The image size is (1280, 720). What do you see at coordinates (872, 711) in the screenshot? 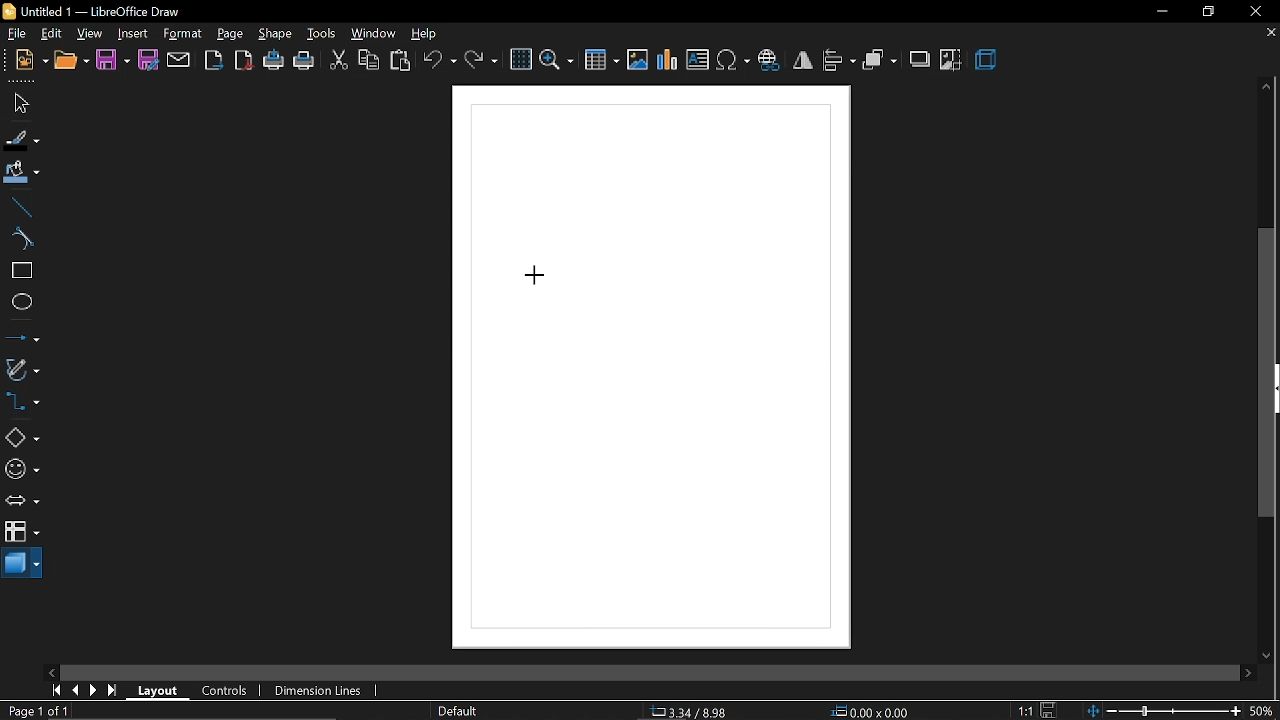
I see `position` at bounding box center [872, 711].